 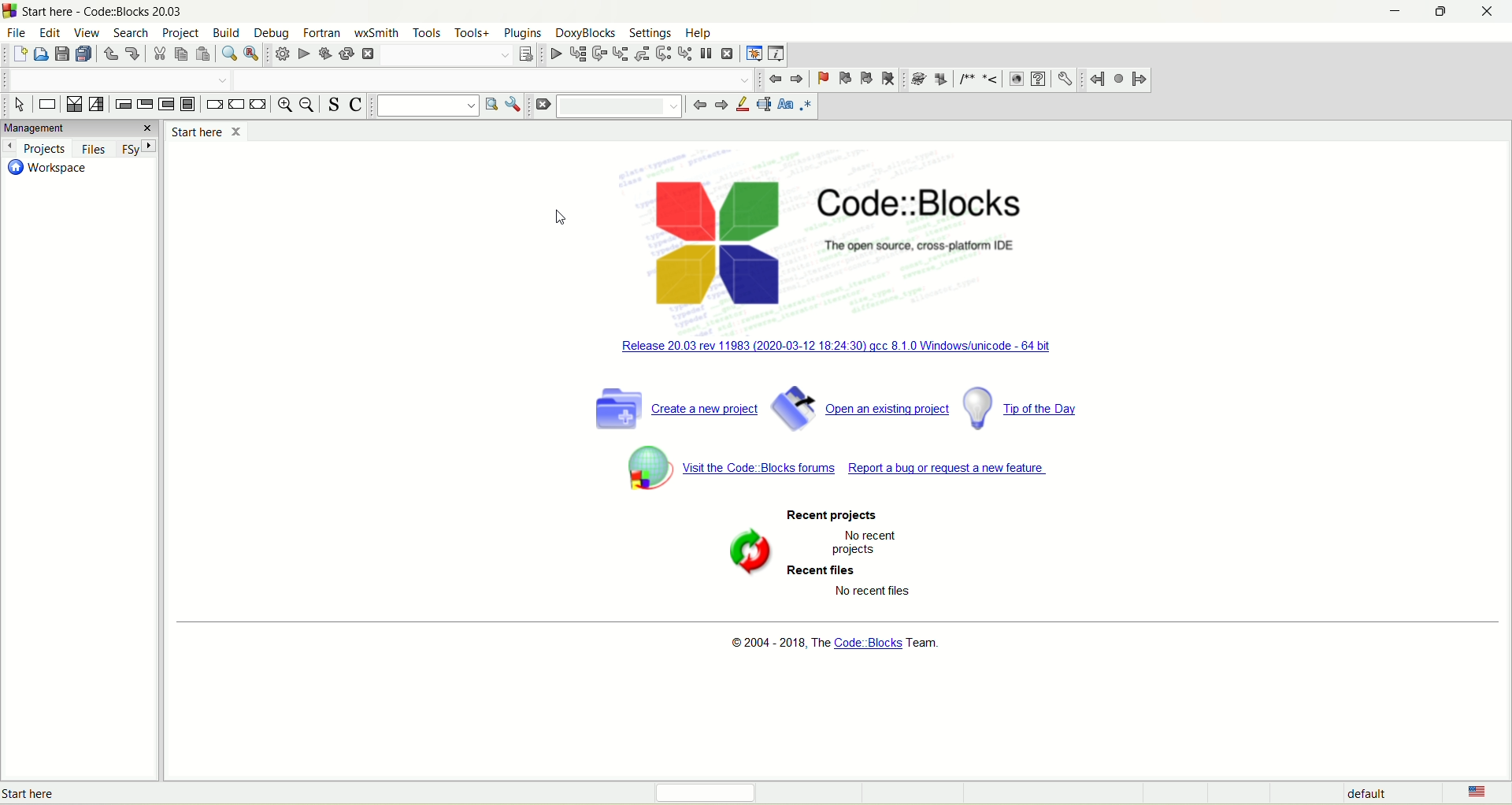 I want to click on edit, so click(x=51, y=32).